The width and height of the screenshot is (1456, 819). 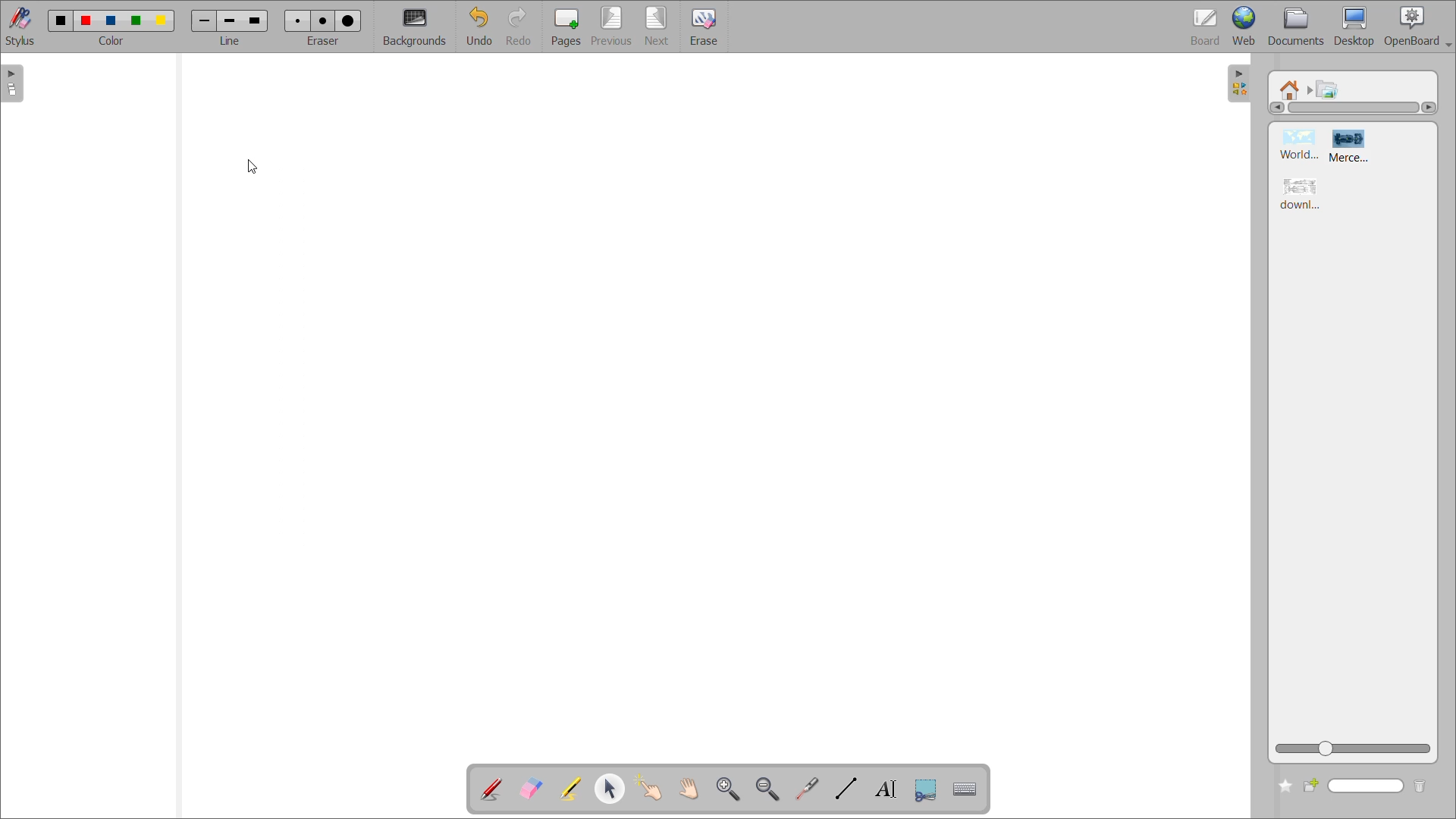 I want to click on eraser 3, so click(x=348, y=23).